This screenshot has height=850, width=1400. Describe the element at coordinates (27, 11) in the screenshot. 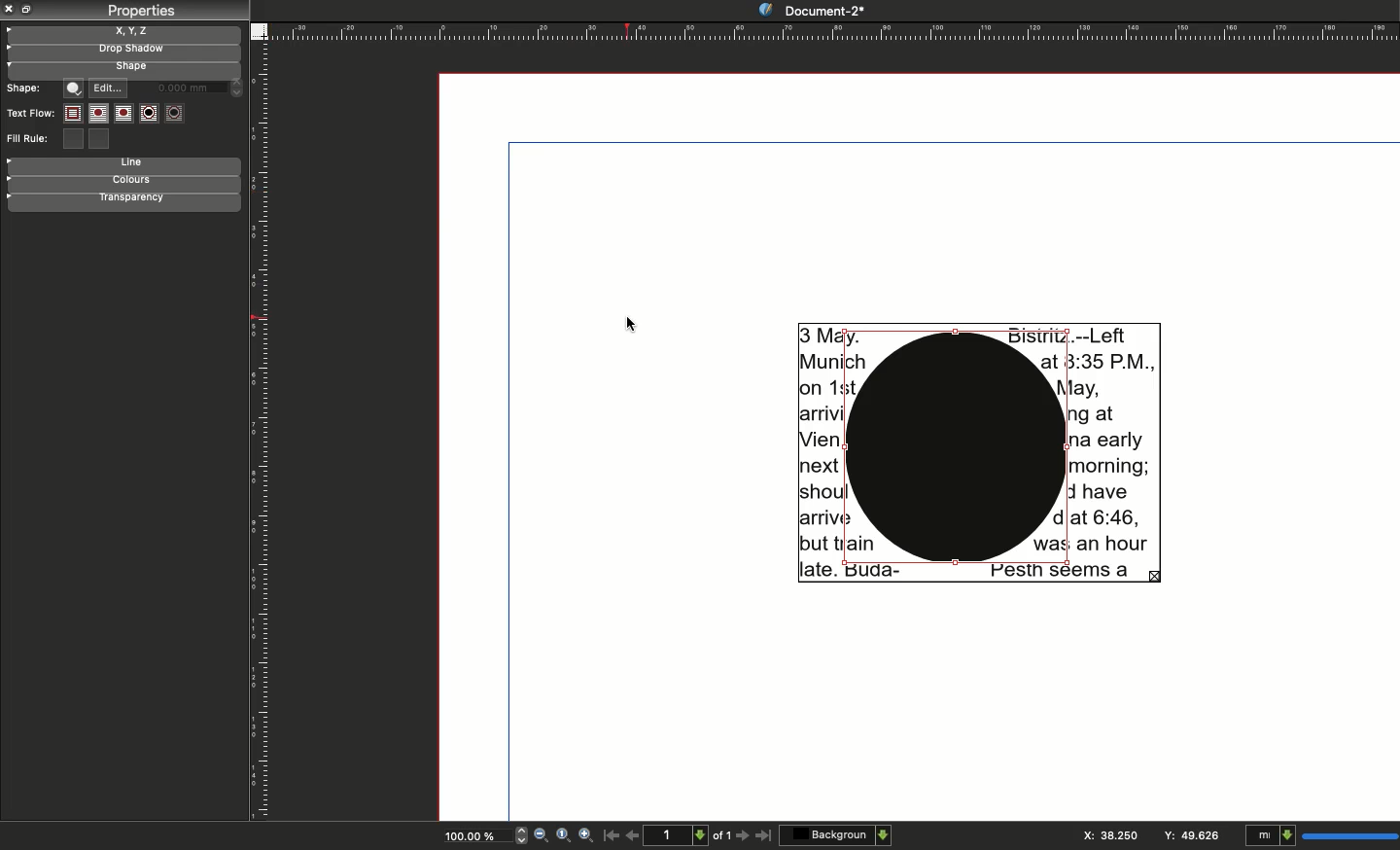

I see `Copy` at that location.